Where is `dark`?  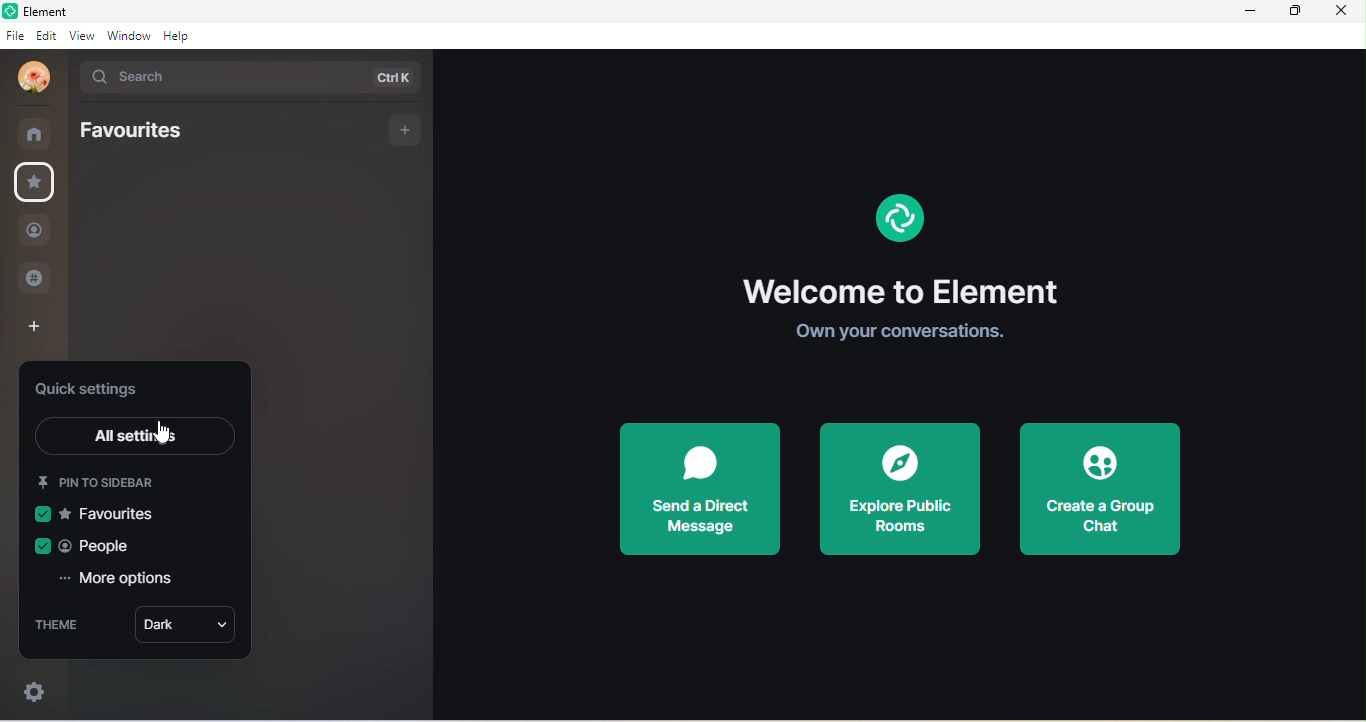 dark is located at coordinates (186, 624).